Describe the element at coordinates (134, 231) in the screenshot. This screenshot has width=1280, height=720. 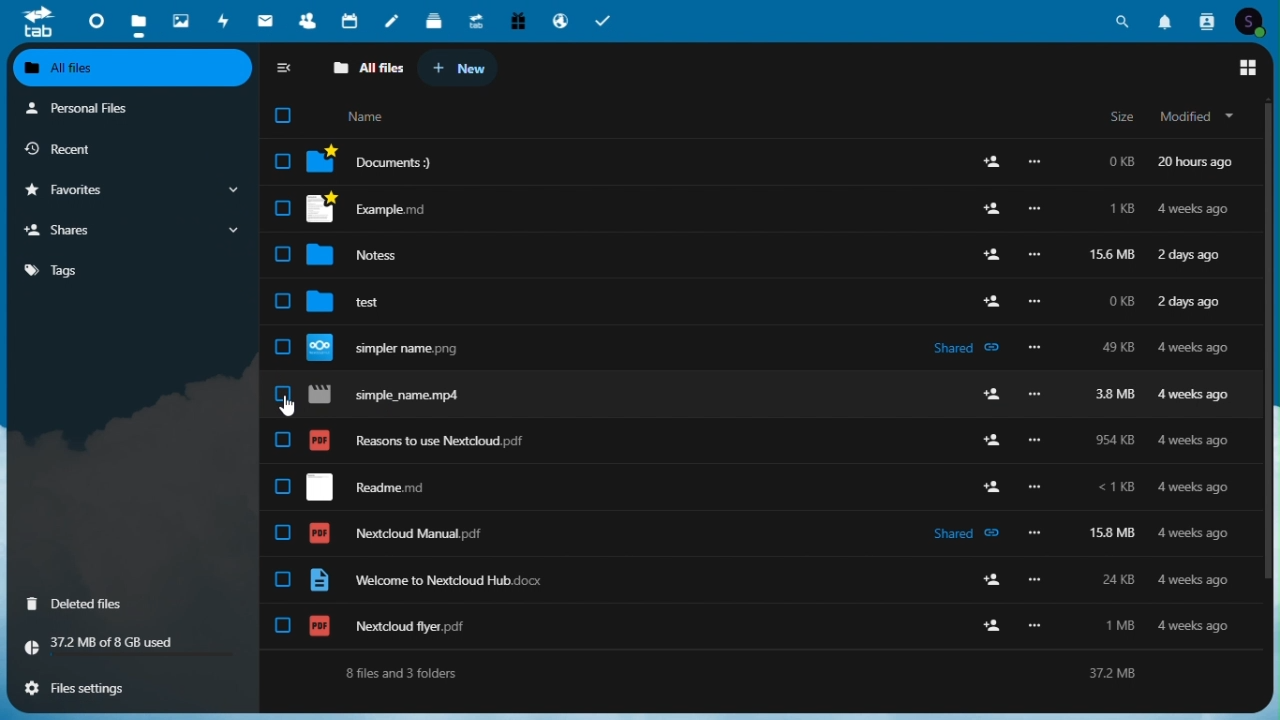
I see `Share` at that location.